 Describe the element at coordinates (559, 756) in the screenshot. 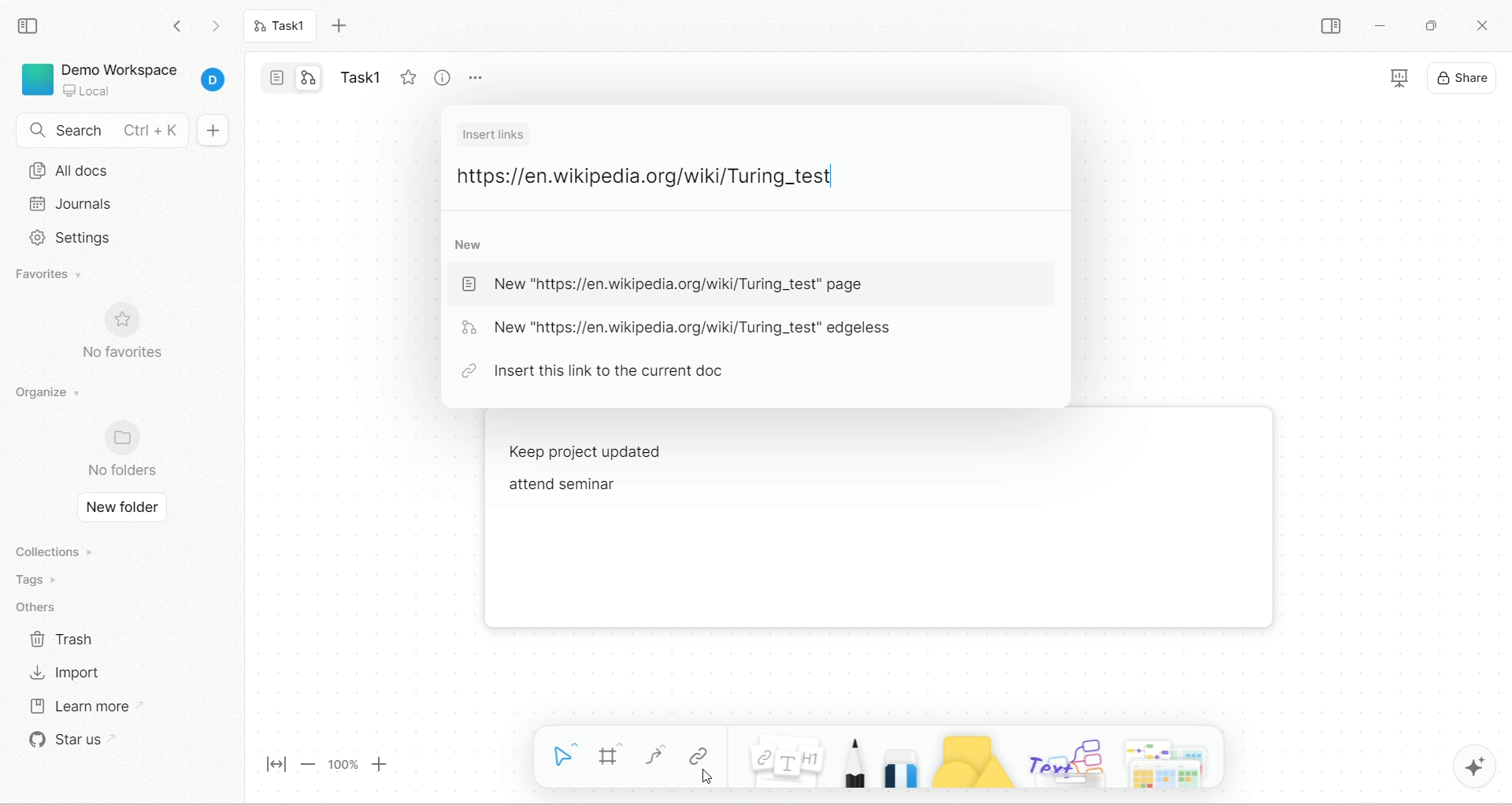

I see `select` at that location.